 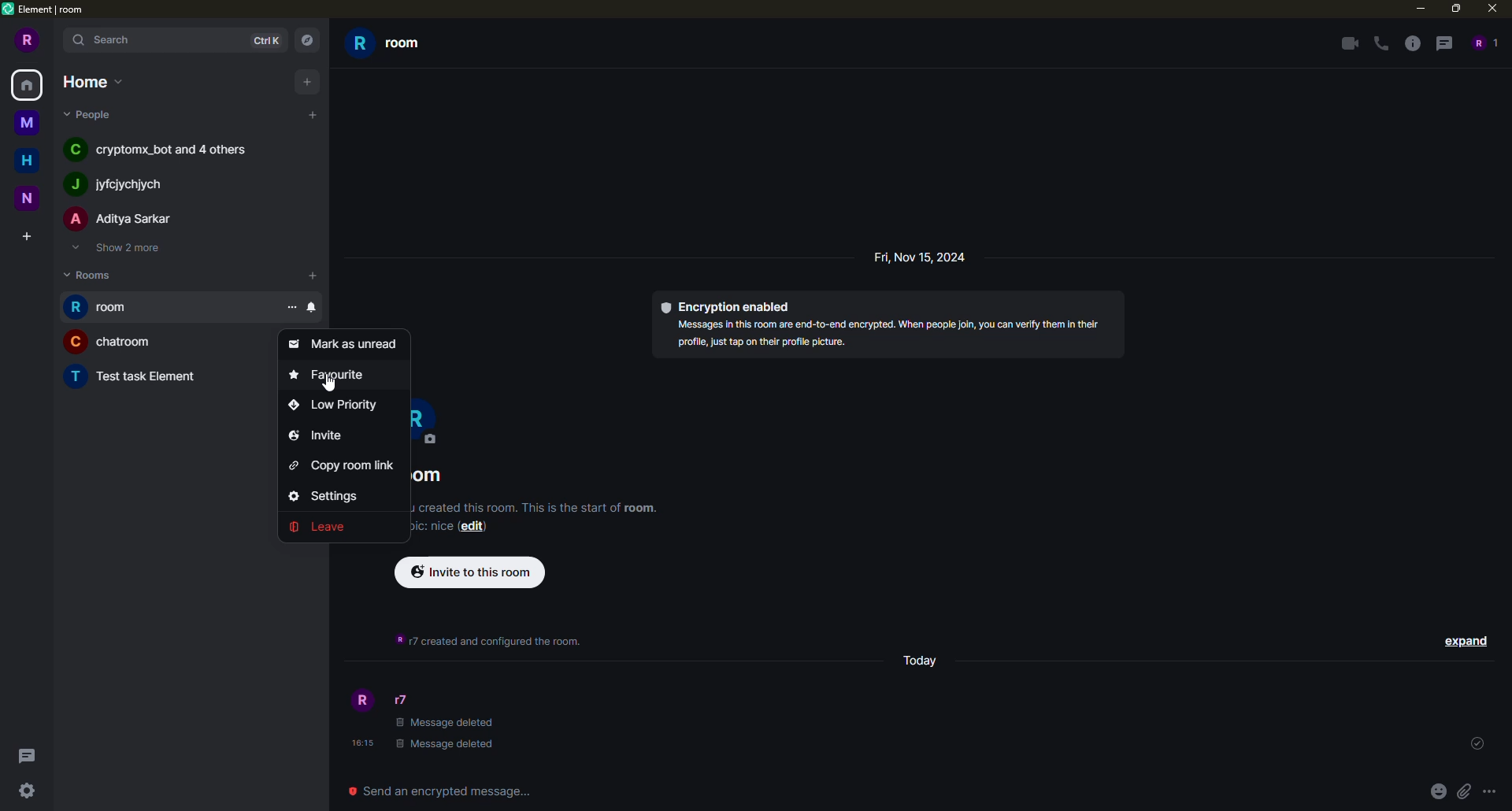 What do you see at coordinates (28, 196) in the screenshot?
I see `n` at bounding box center [28, 196].